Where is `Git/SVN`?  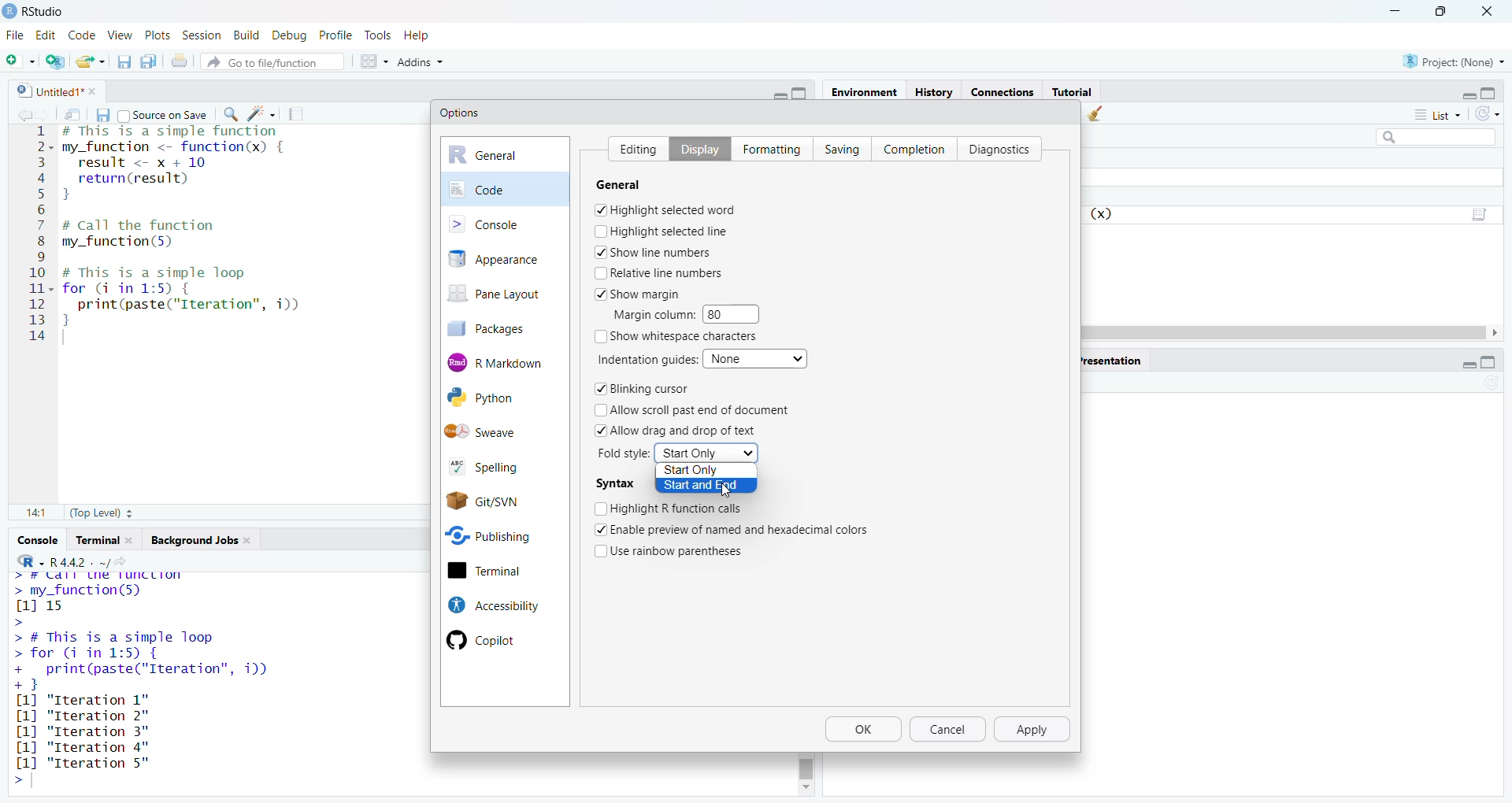 Git/SVN is located at coordinates (503, 500).